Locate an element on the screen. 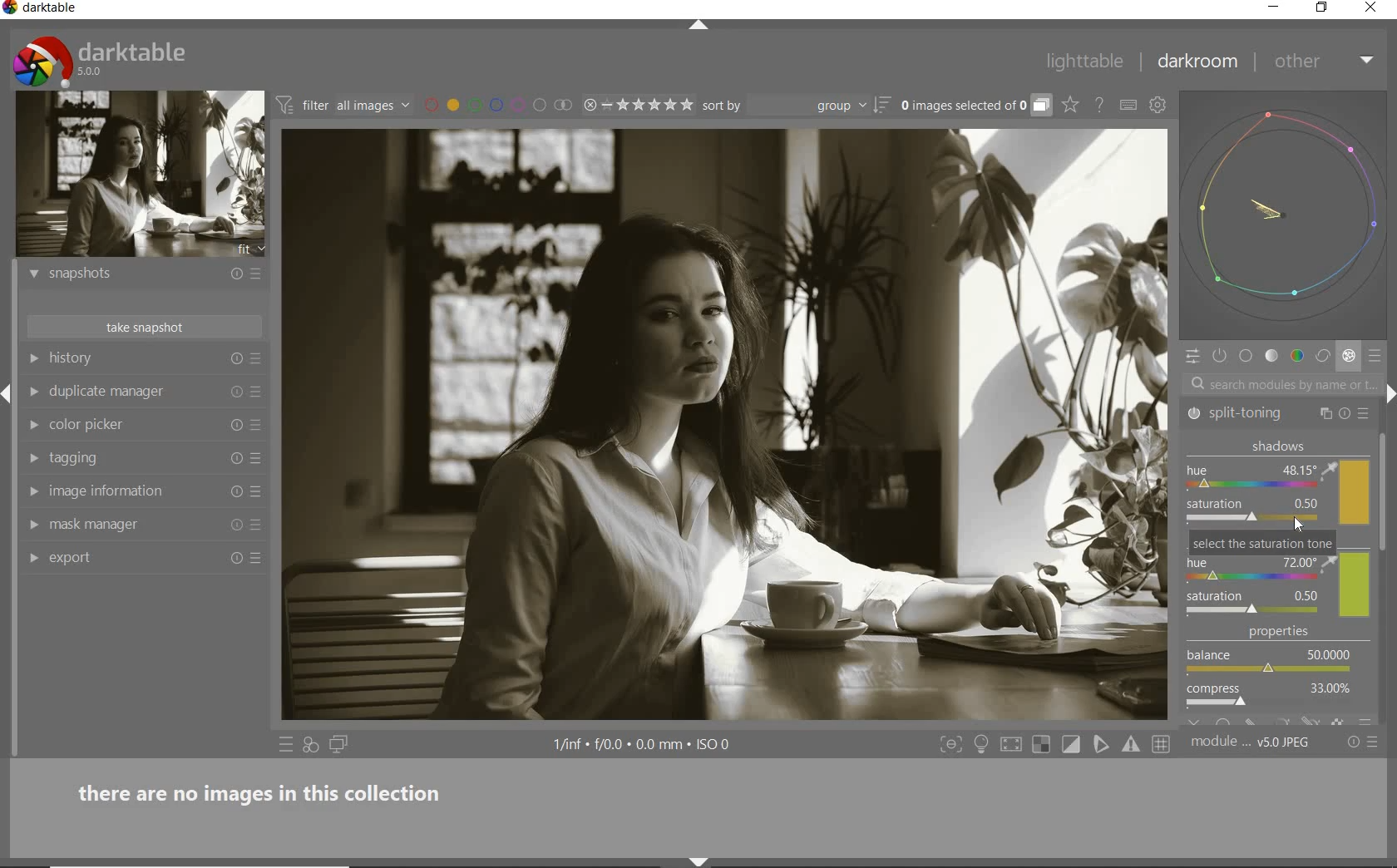 Image resolution: width=1397 pixels, height=868 pixels. shadows is located at coordinates (1276, 484).